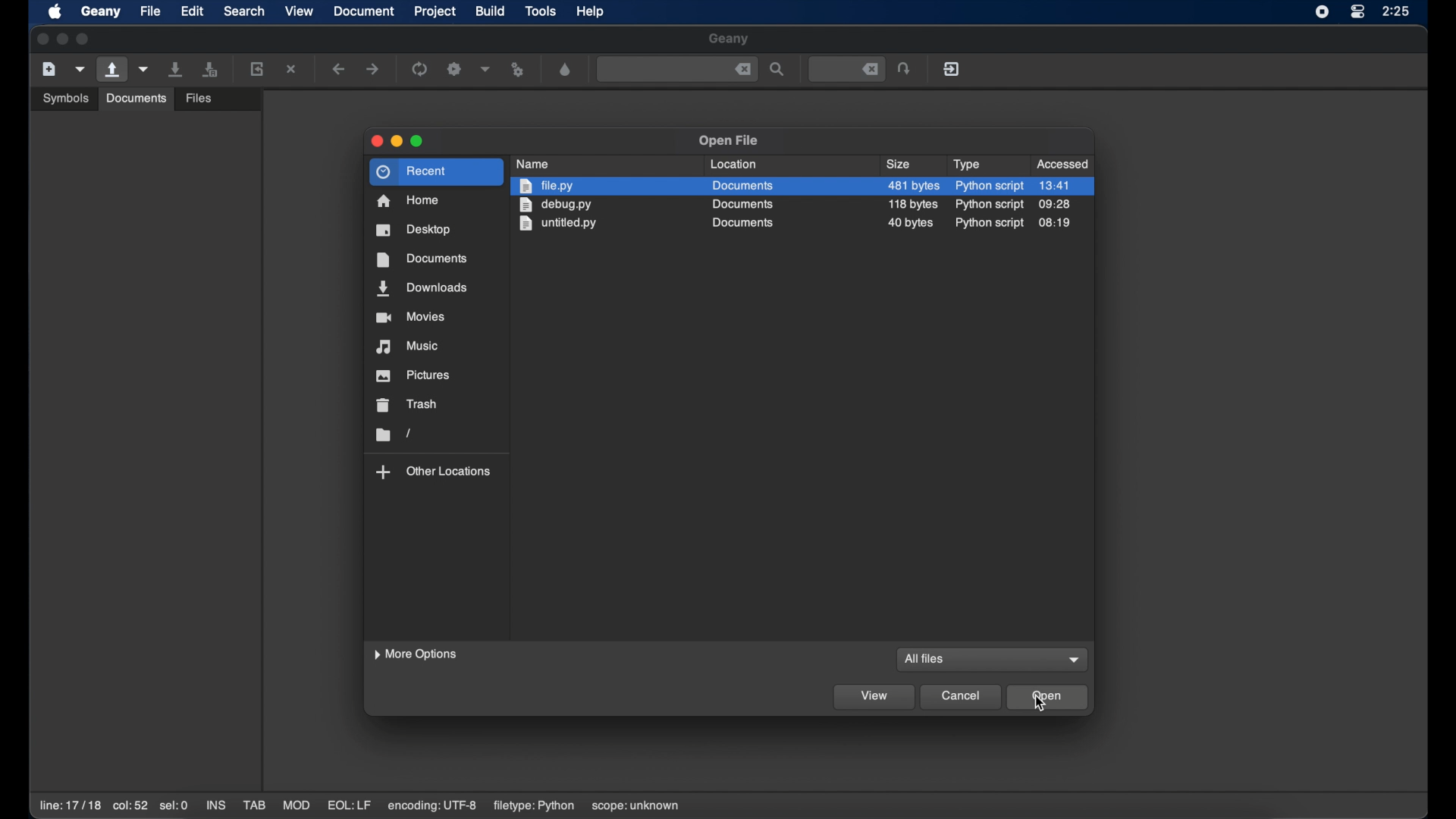 The width and height of the screenshot is (1456, 819). I want to click on name, so click(534, 164).